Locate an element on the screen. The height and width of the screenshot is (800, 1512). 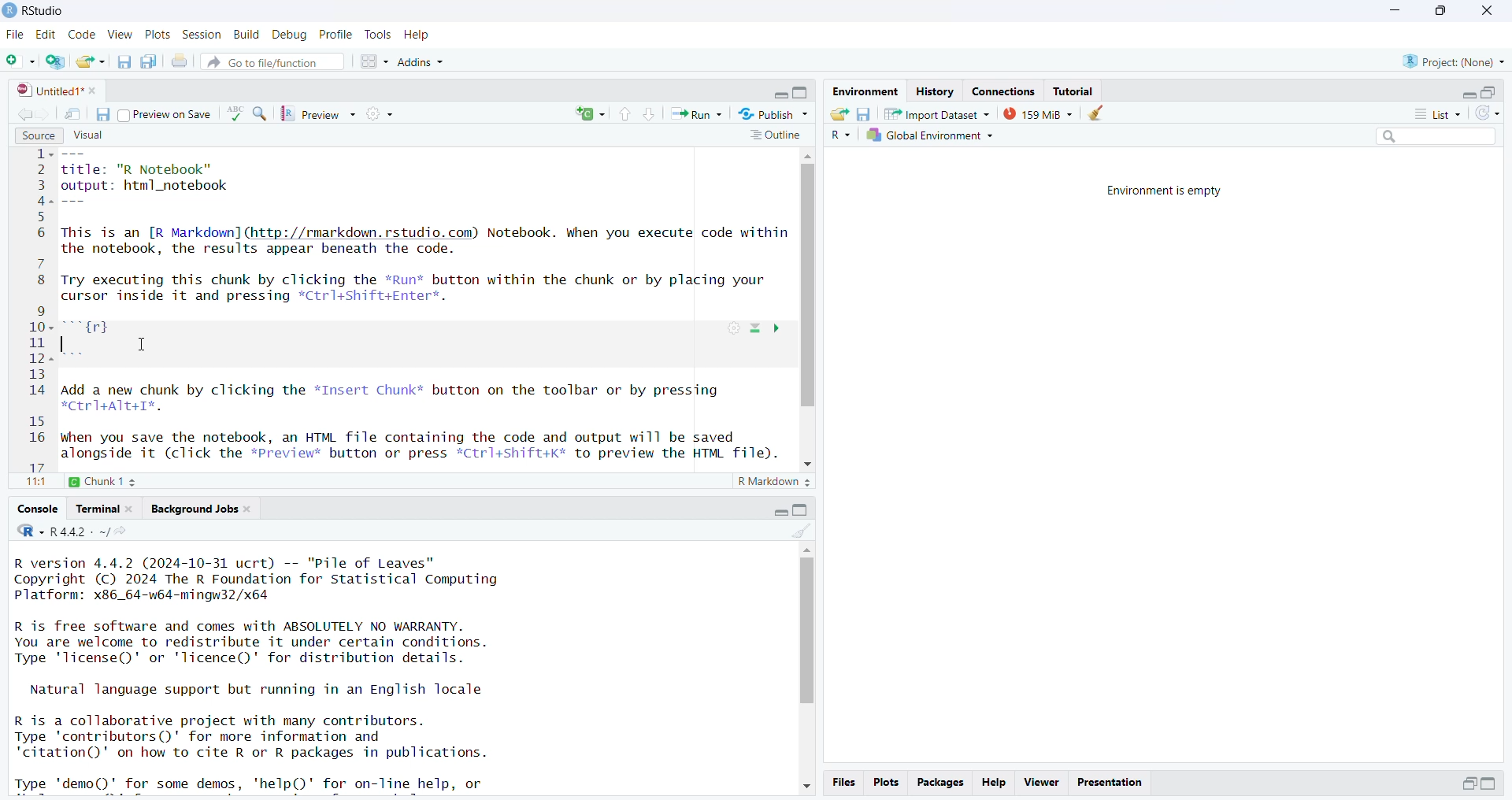
help is located at coordinates (995, 781).